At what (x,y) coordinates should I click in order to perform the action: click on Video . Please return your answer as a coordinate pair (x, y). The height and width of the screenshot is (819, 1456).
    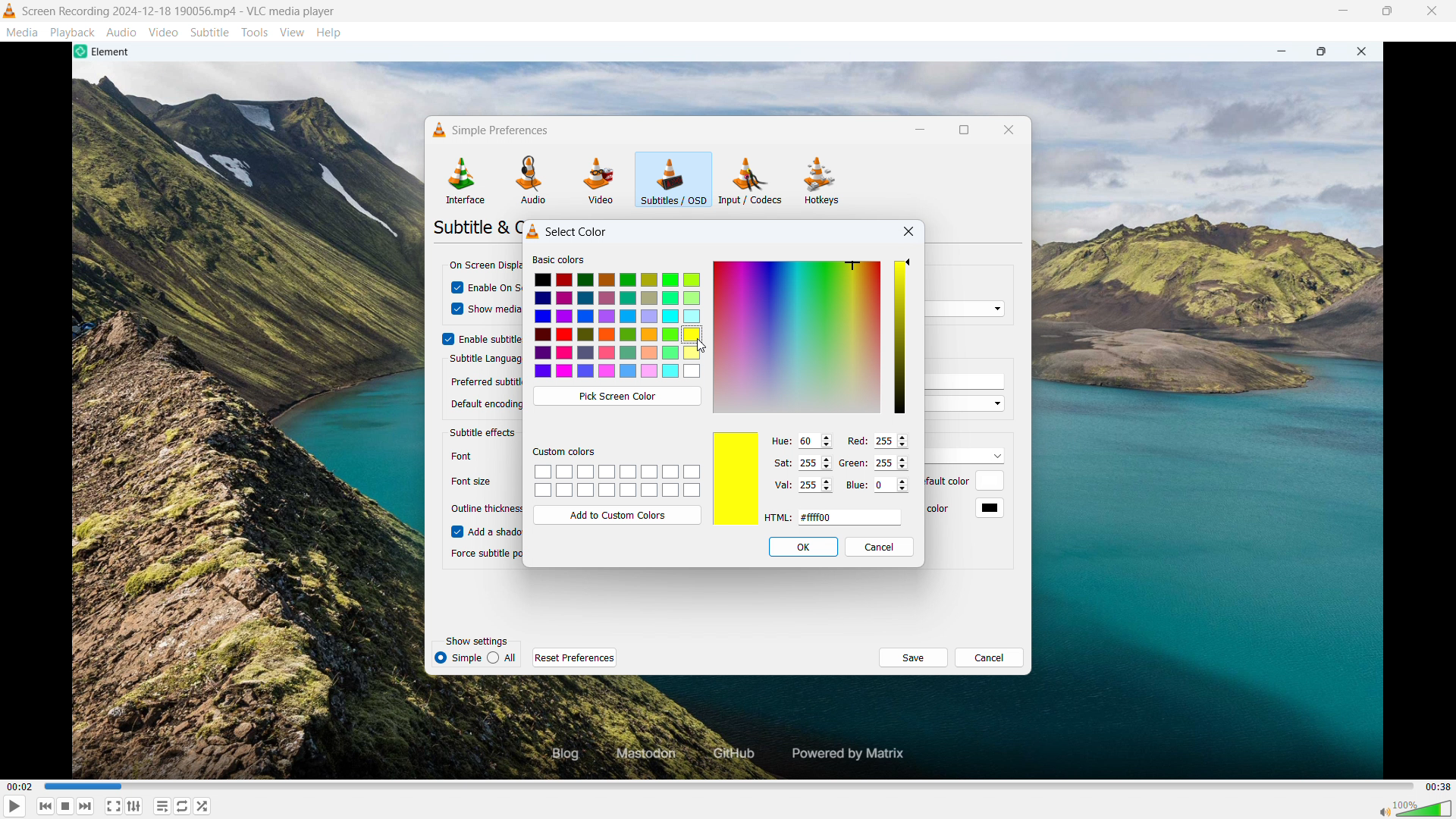
    Looking at the image, I should click on (599, 180).